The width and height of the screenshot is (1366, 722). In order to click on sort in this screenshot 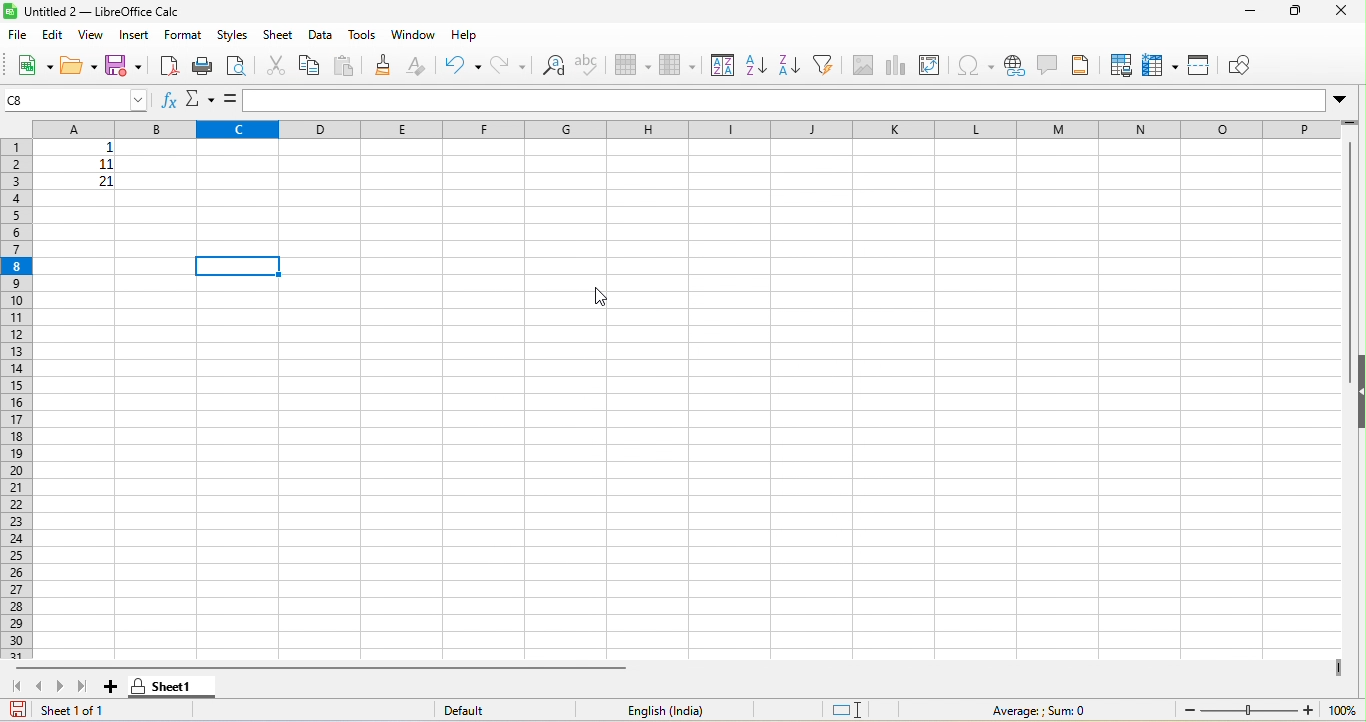, I will do `click(733, 64)`.